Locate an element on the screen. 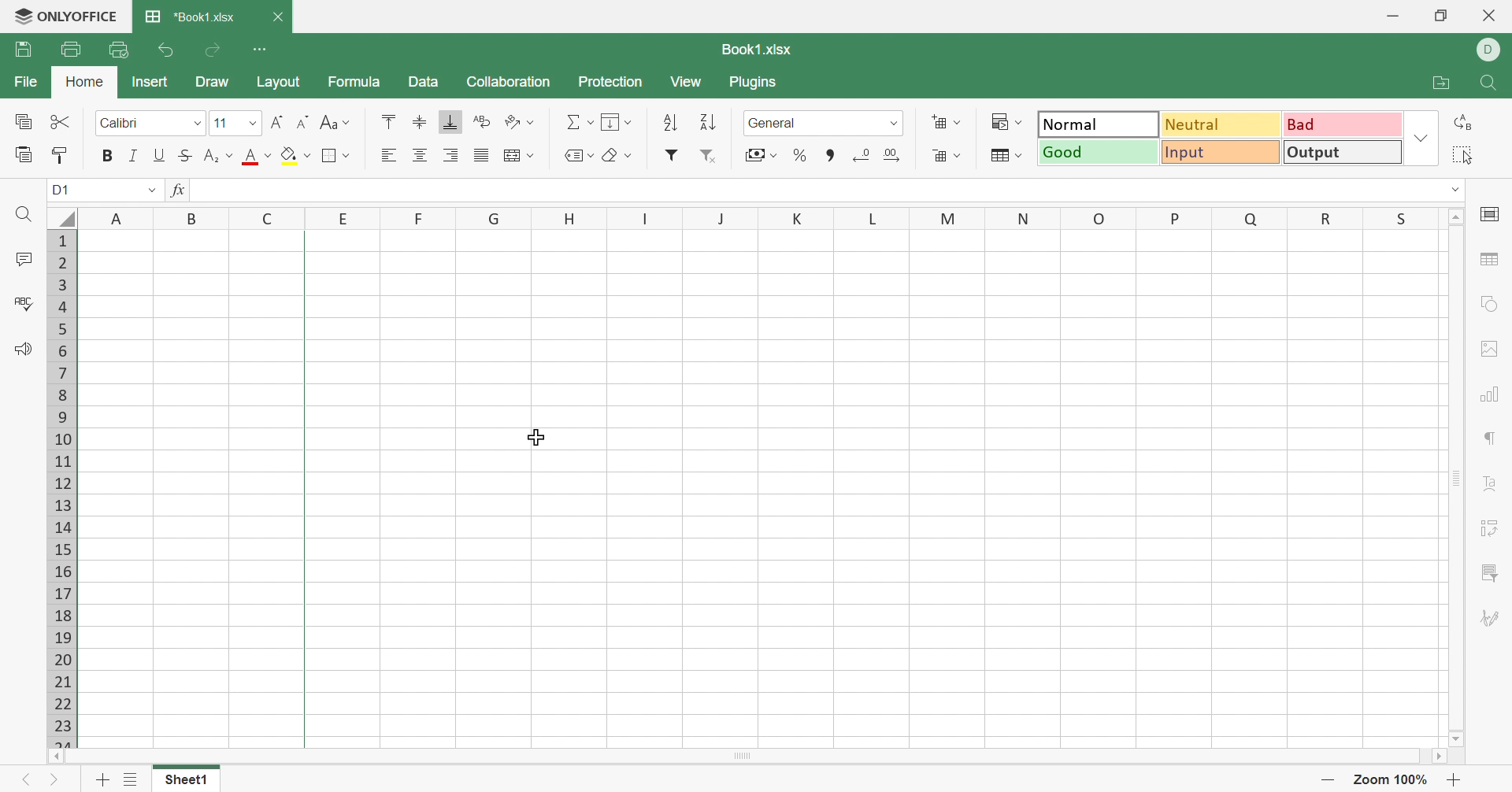  Feedback & Support is located at coordinates (27, 349).